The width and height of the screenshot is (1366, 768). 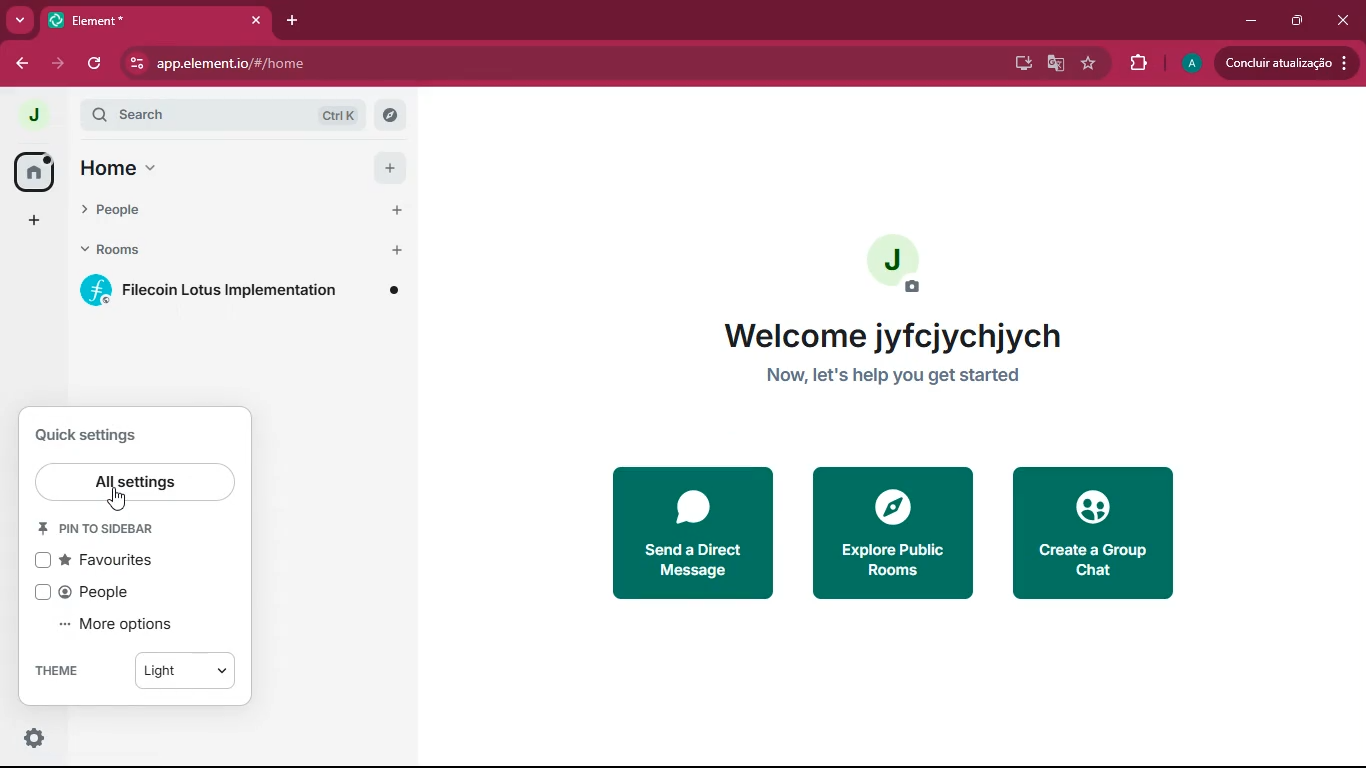 What do you see at coordinates (34, 738) in the screenshot?
I see `settings` at bounding box center [34, 738].